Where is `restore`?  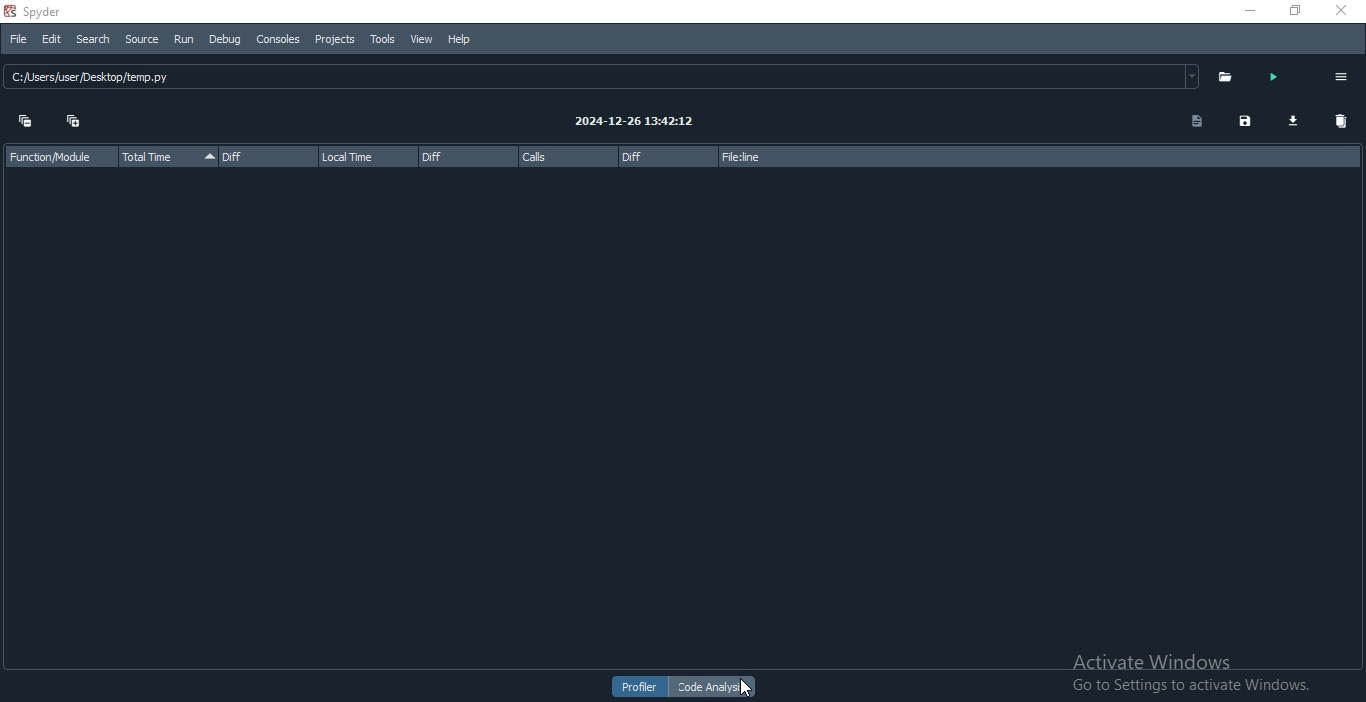 restore is located at coordinates (1294, 12).